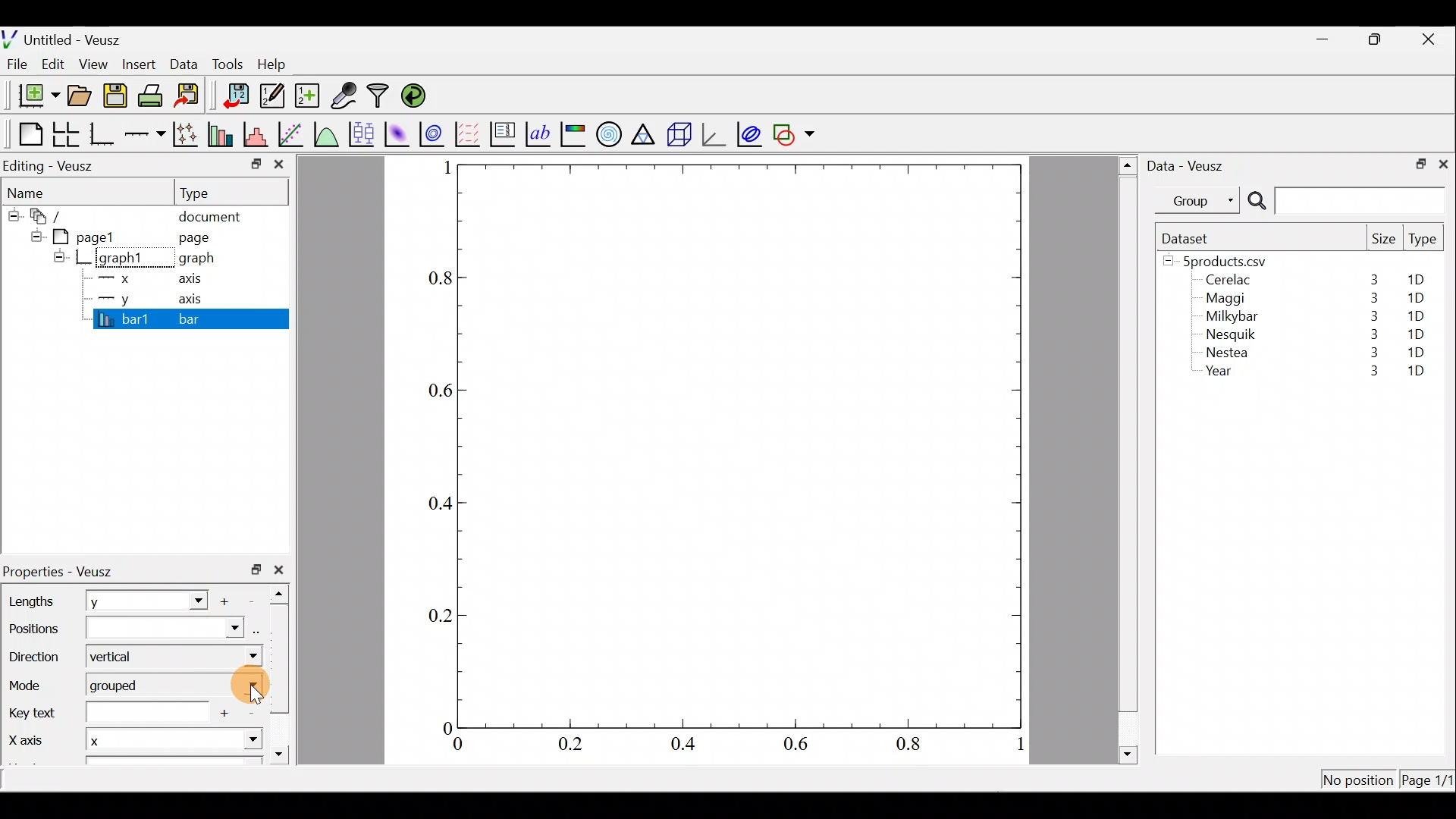  What do you see at coordinates (65, 134) in the screenshot?
I see `Arrange graphs in a grid` at bounding box center [65, 134].